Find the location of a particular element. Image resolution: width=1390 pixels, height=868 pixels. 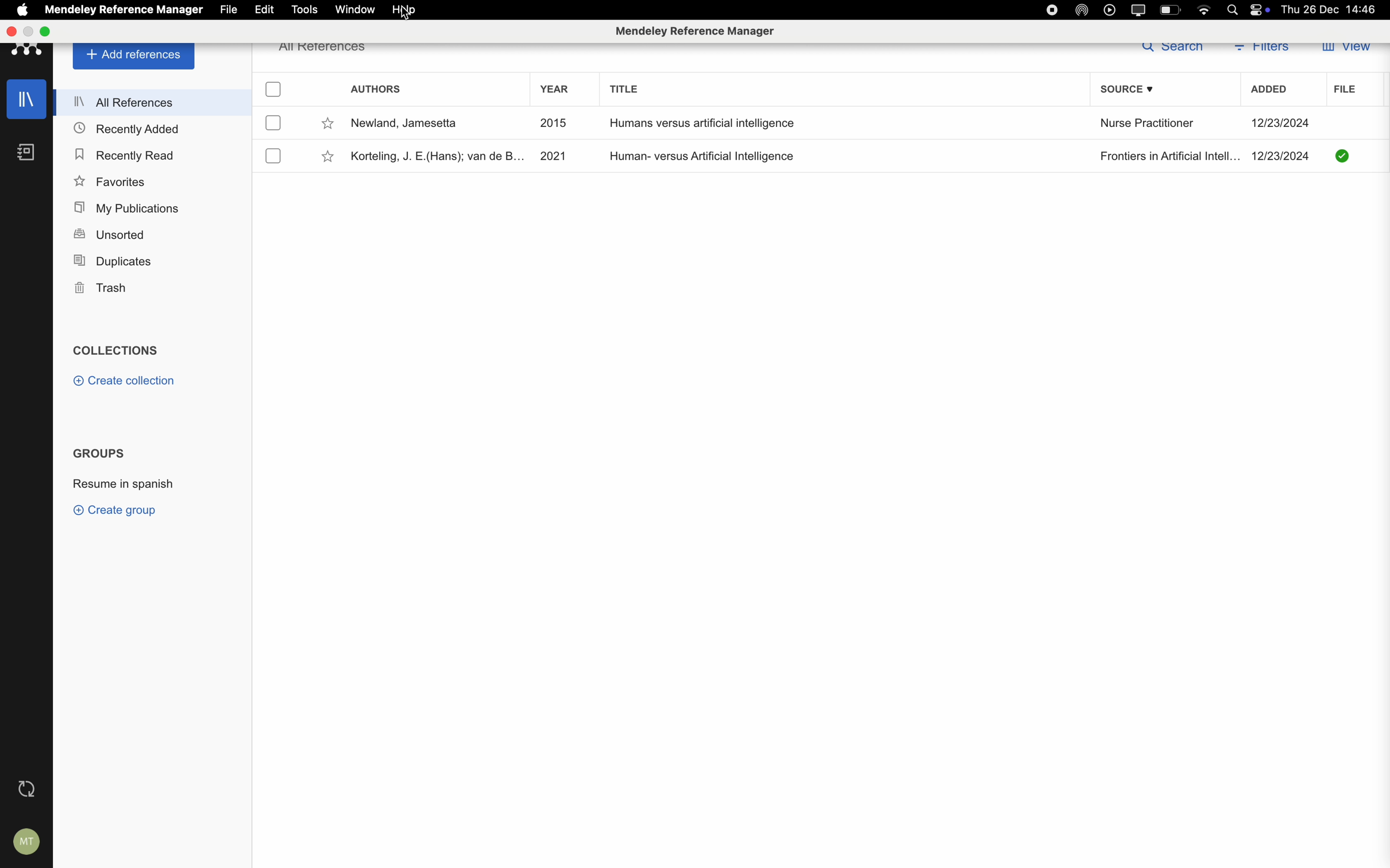

Recently Added is located at coordinates (130, 128).